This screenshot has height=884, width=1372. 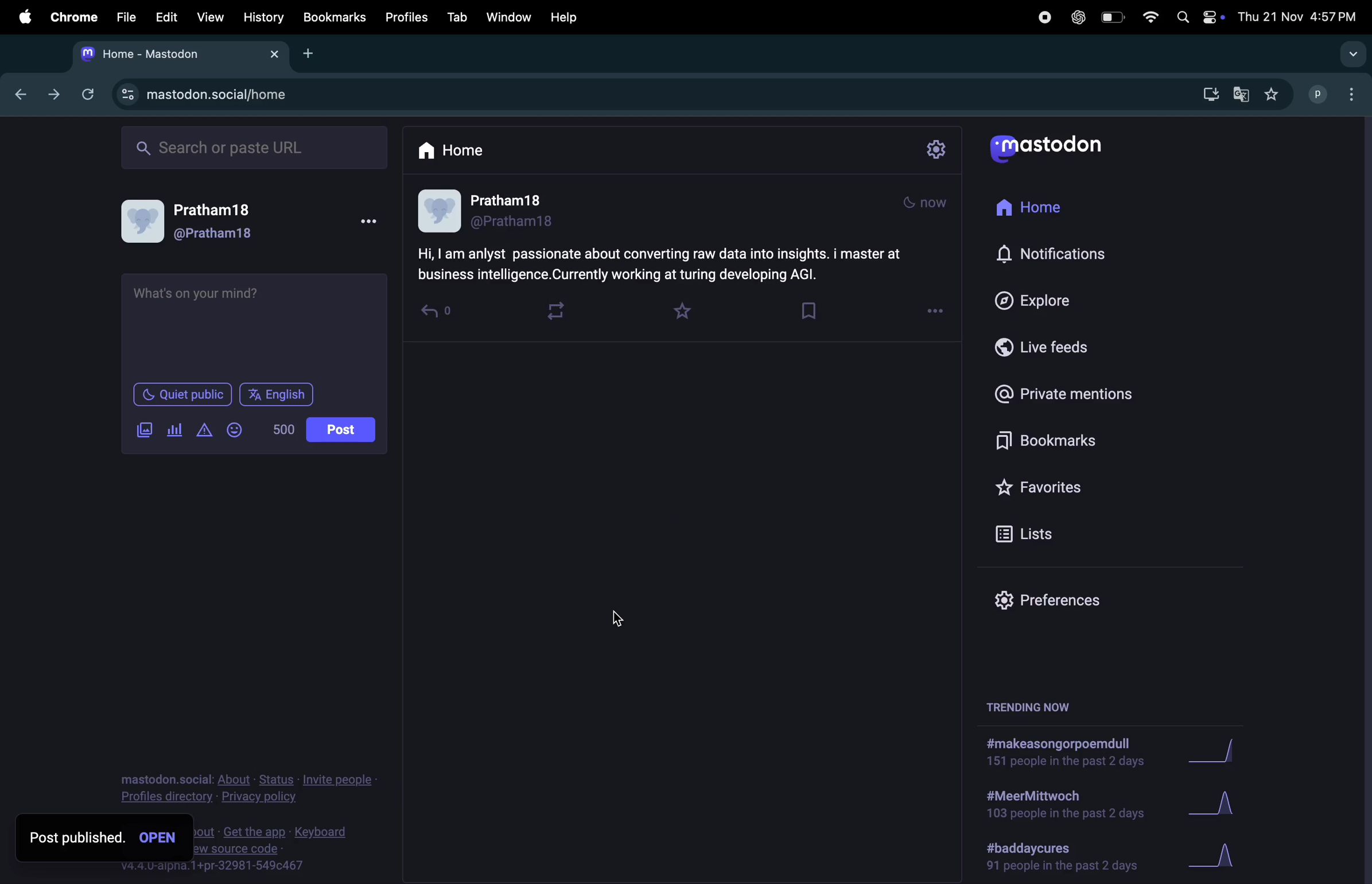 I want to click on file, so click(x=122, y=18).